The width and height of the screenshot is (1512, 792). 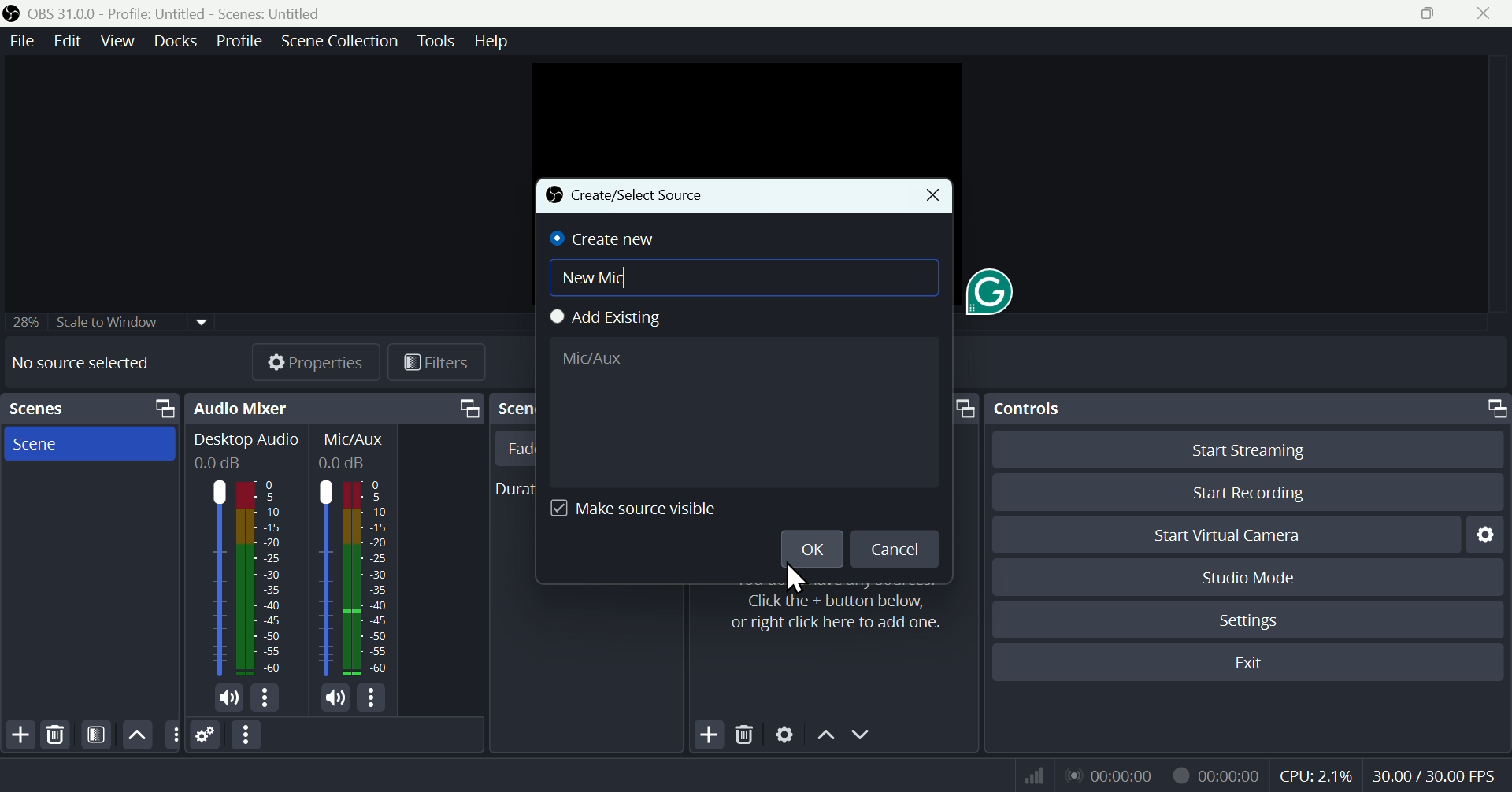 I want to click on , so click(x=357, y=439).